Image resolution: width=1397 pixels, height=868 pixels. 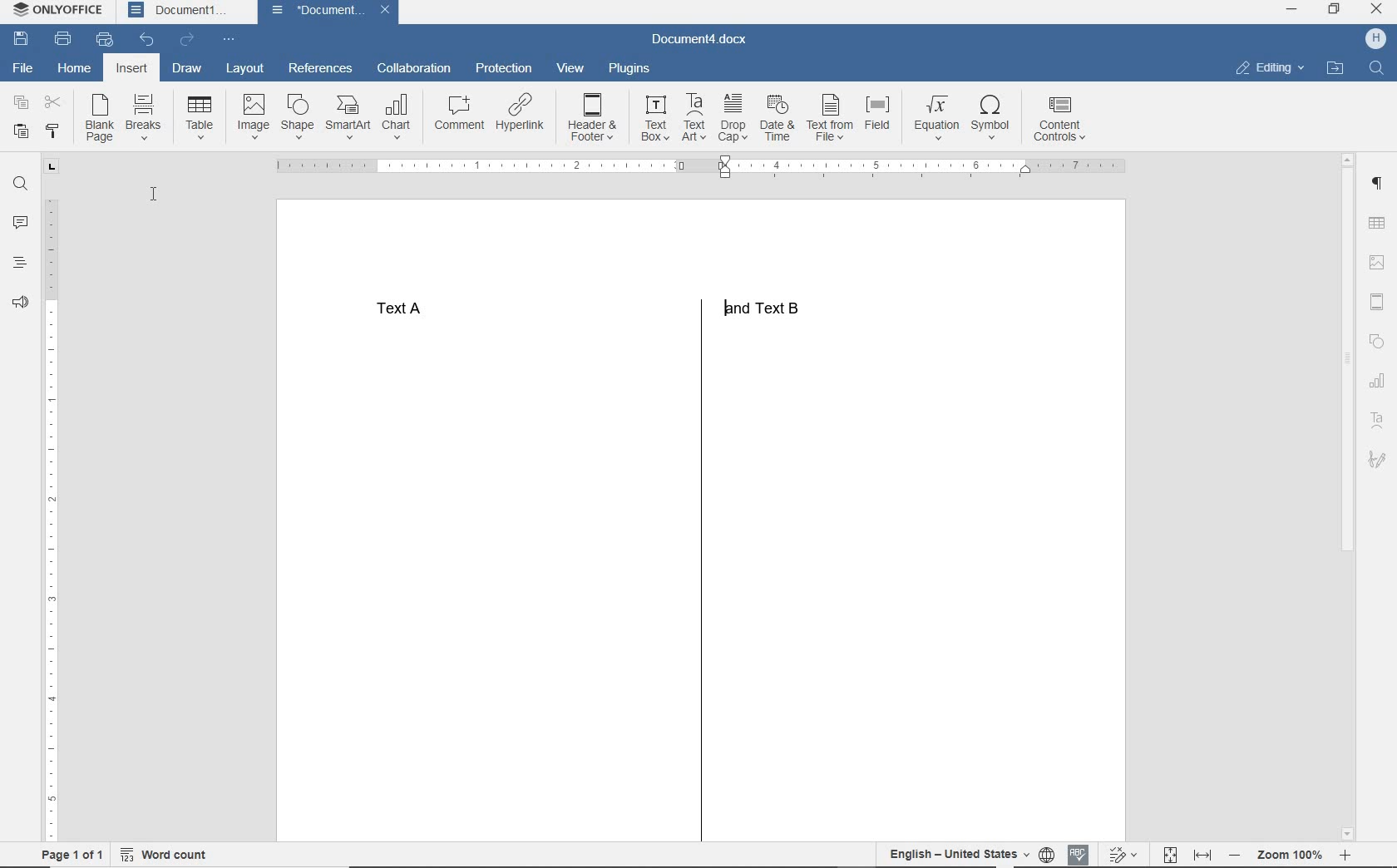 I want to click on FIT TO WIDTH, so click(x=1204, y=853).